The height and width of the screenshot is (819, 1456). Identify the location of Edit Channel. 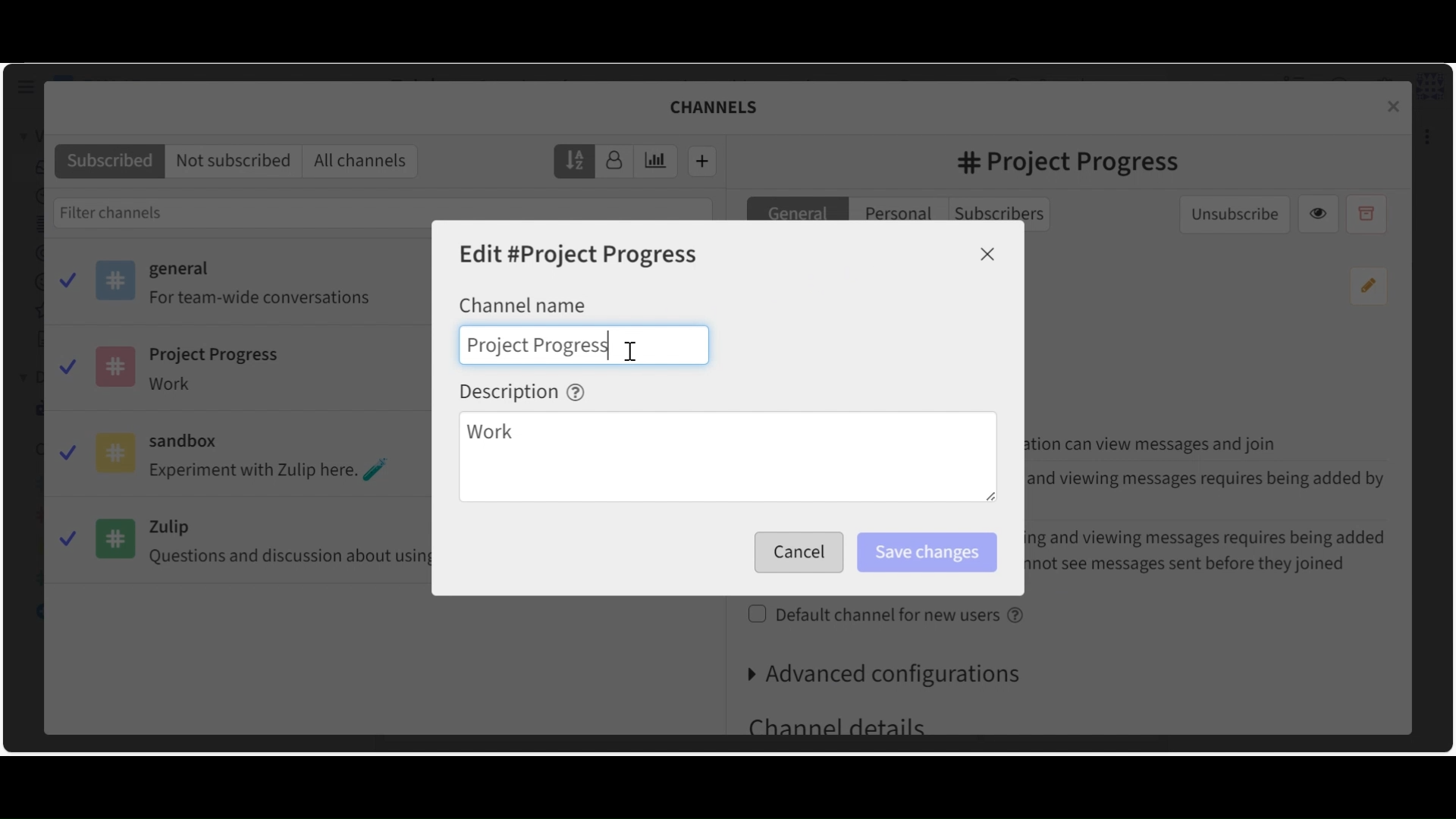
(580, 256).